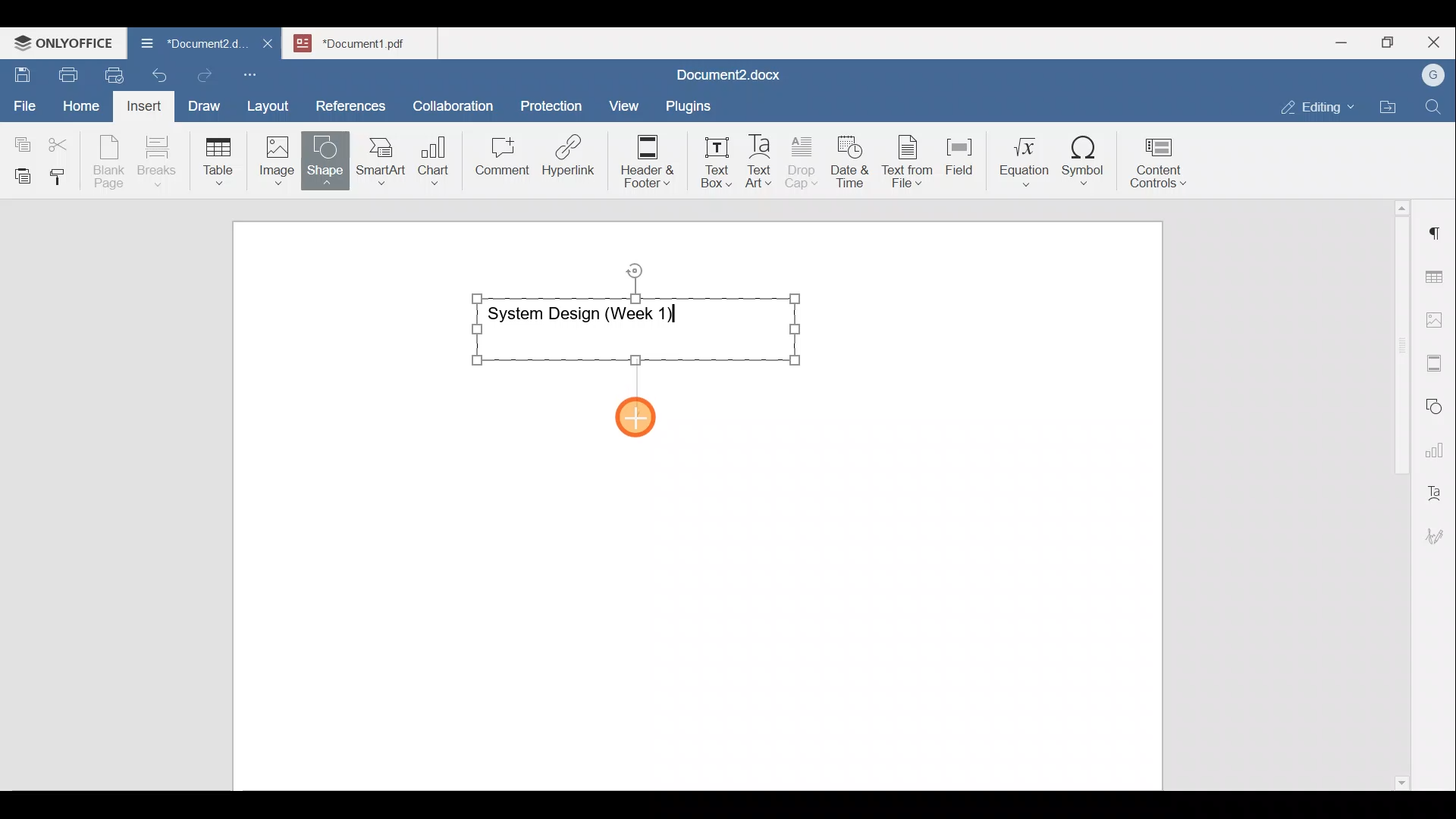 This screenshot has width=1456, height=819. I want to click on Chart settings, so click(1438, 444).